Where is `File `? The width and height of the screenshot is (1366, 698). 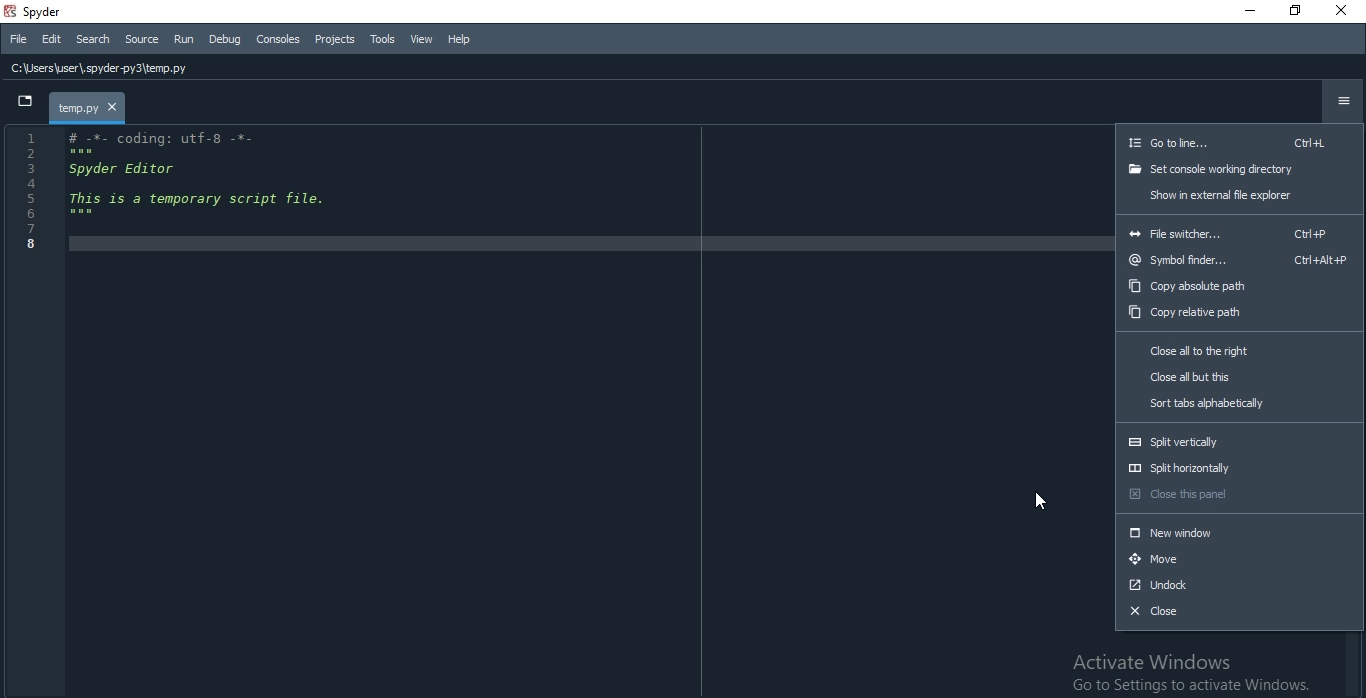 File  is located at coordinates (18, 41).